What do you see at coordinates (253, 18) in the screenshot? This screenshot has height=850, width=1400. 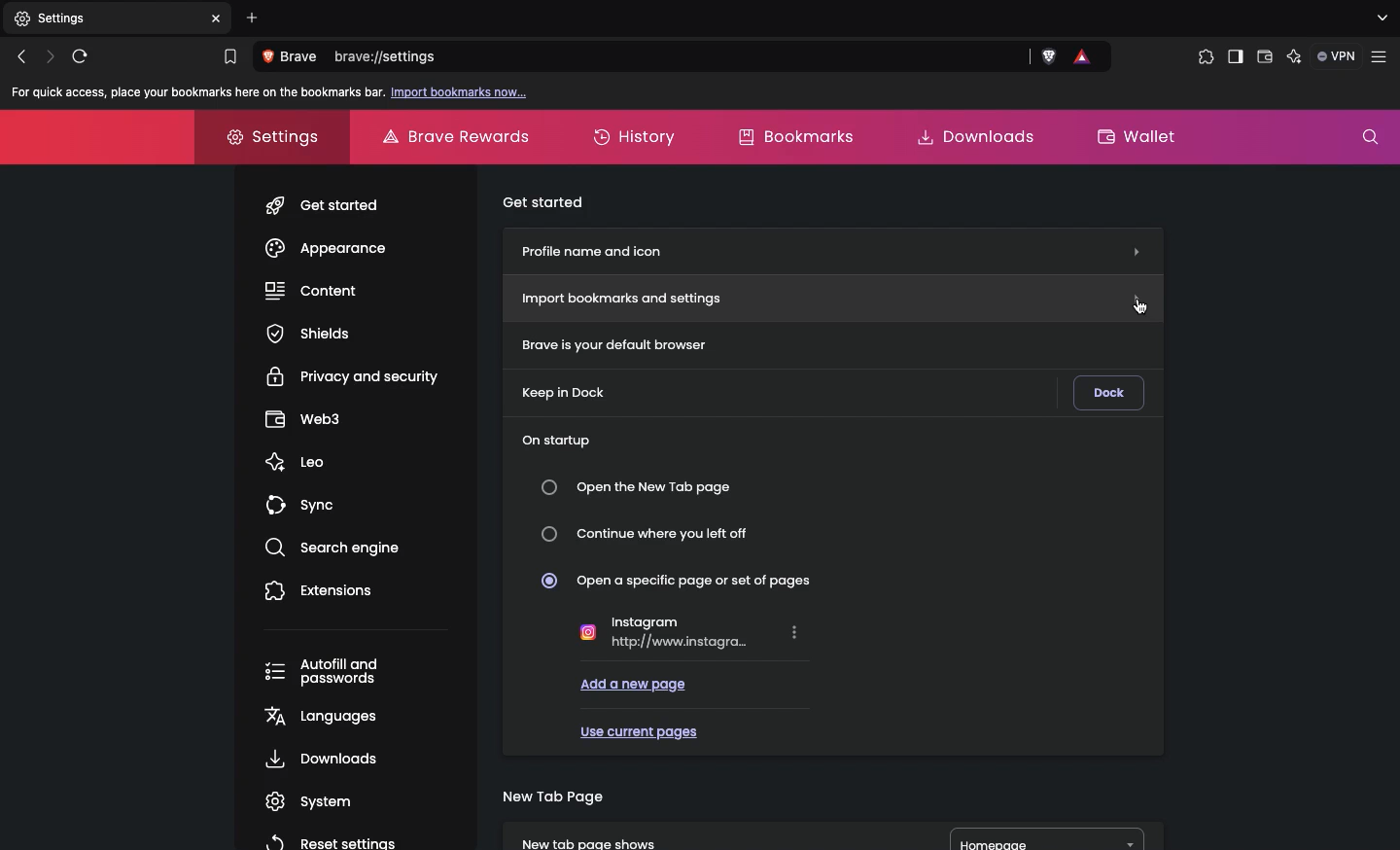 I see `Add new tab` at bounding box center [253, 18].